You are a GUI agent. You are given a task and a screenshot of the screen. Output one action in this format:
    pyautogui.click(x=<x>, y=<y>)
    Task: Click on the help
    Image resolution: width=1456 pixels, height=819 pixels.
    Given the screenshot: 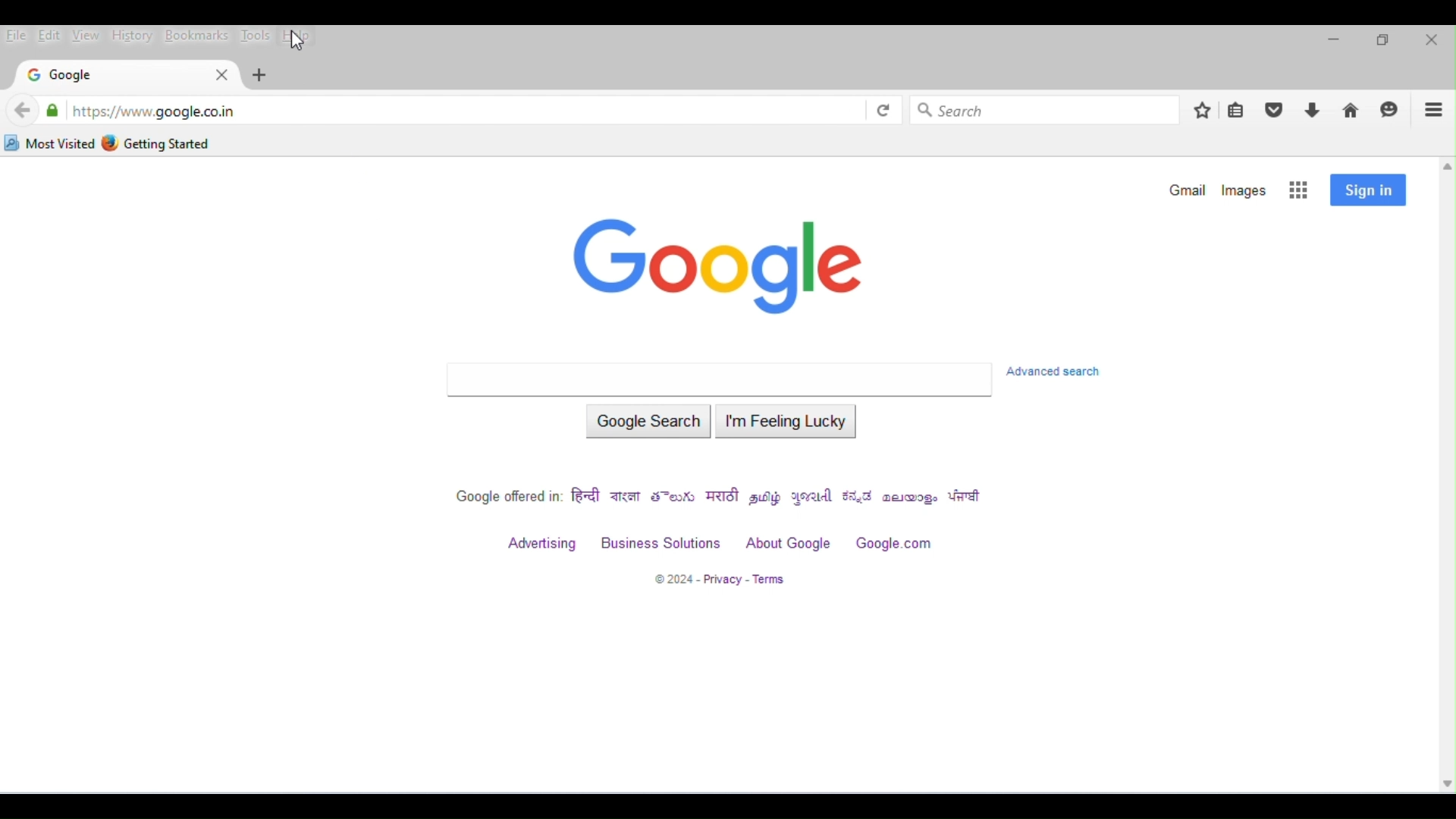 What is the action you would take?
    pyautogui.click(x=302, y=37)
    